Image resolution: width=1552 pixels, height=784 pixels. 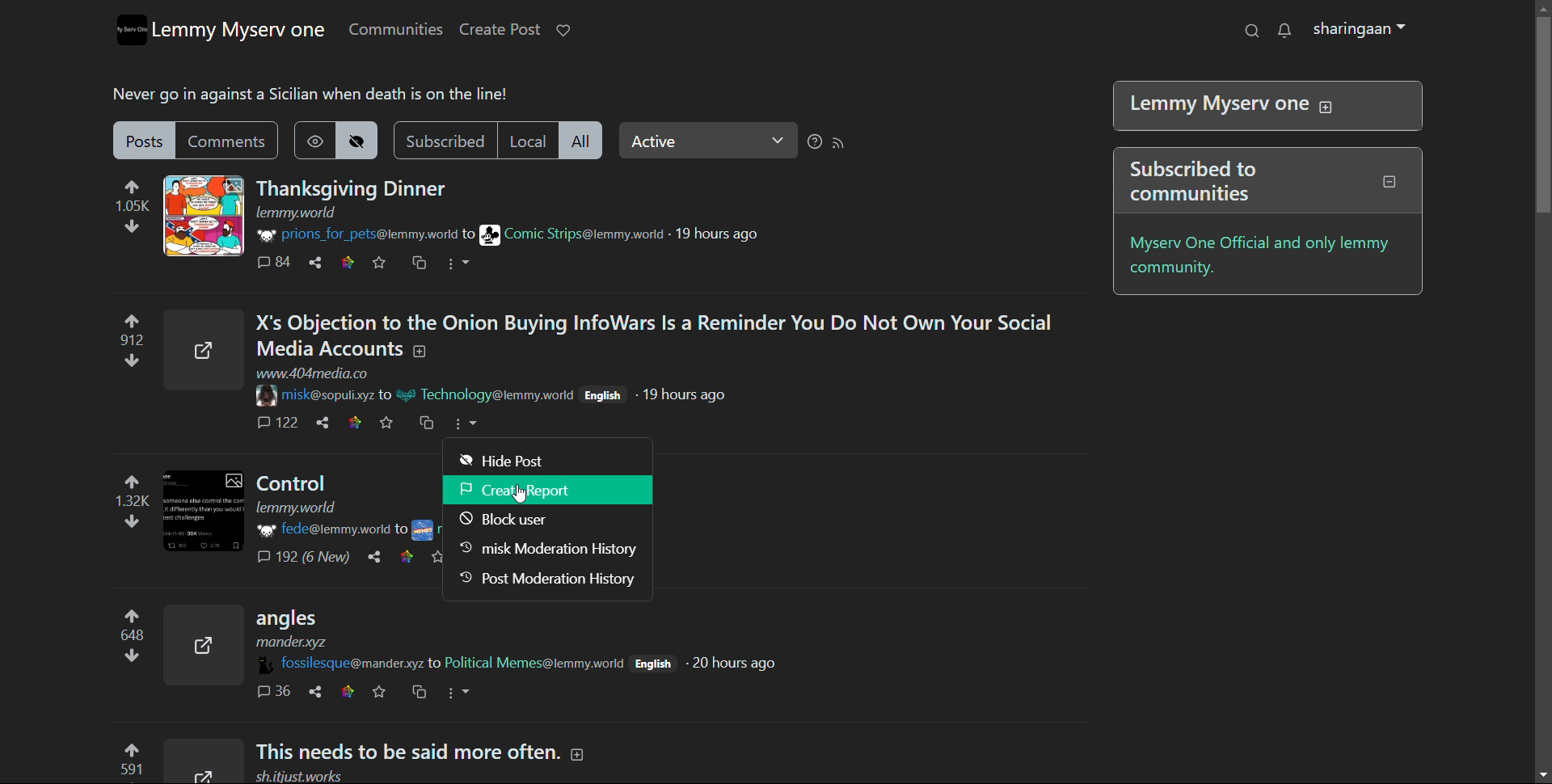 What do you see at coordinates (318, 424) in the screenshot?
I see `share` at bounding box center [318, 424].